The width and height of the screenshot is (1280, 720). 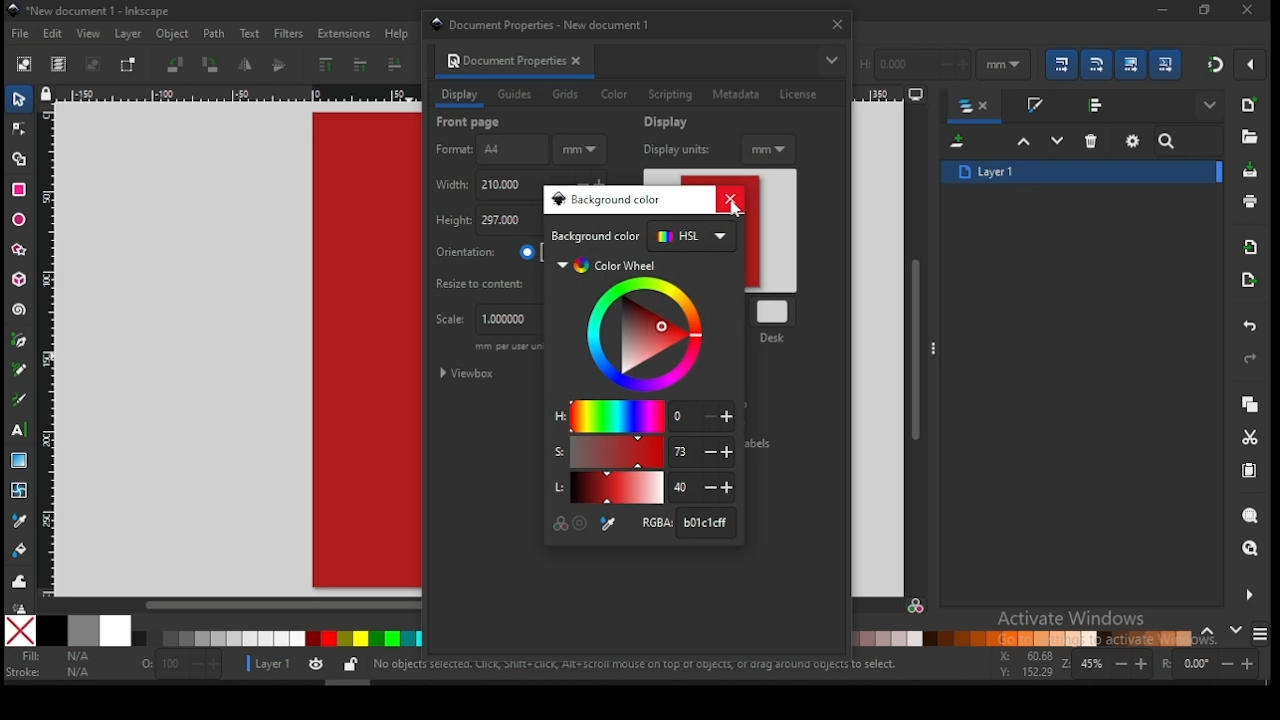 What do you see at coordinates (507, 349) in the screenshot?
I see `mm per user unit` at bounding box center [507, 349].